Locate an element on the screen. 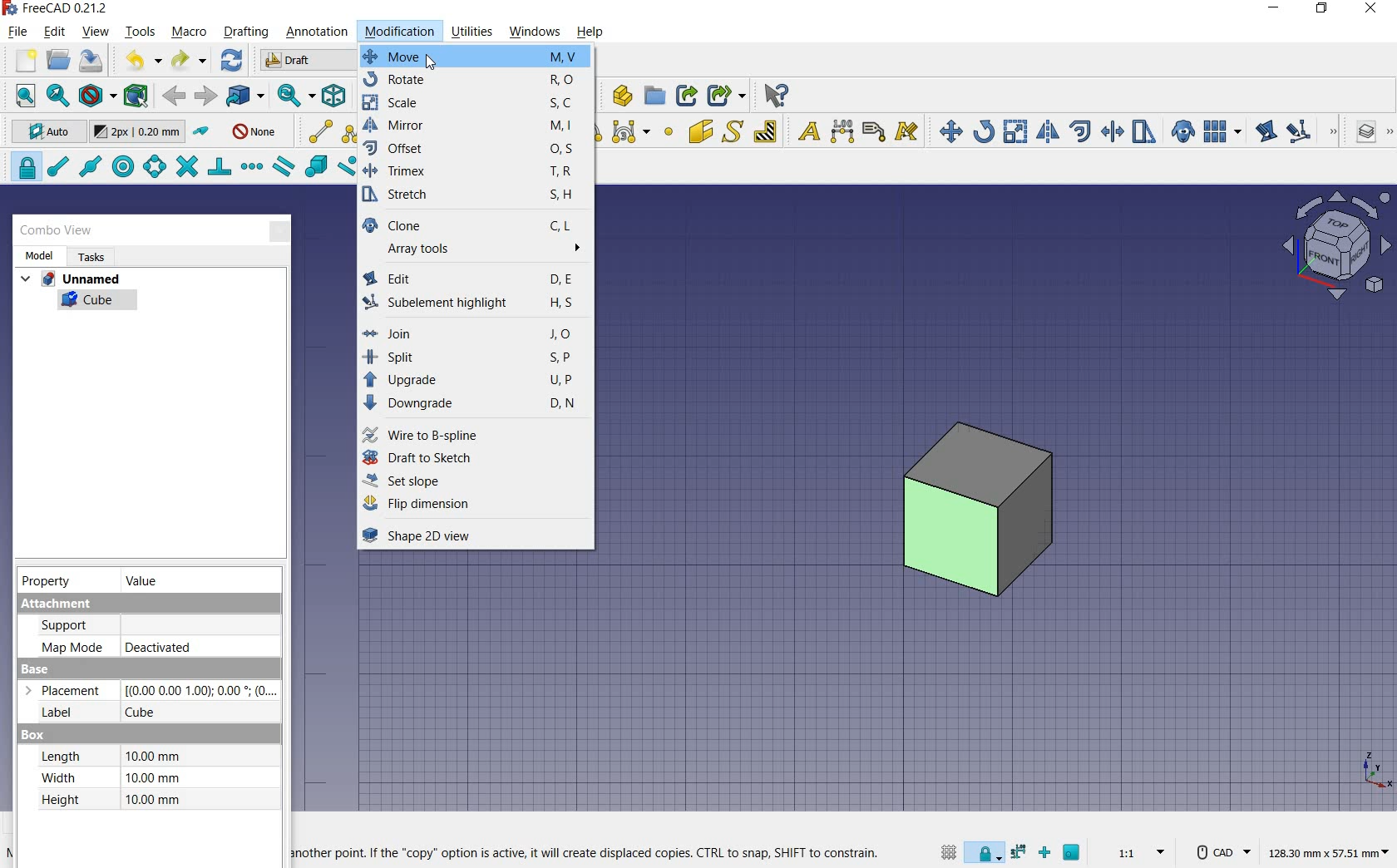 This screenshot has width=1397, height=868. cursor at move option is located at coordinates (432, 62).